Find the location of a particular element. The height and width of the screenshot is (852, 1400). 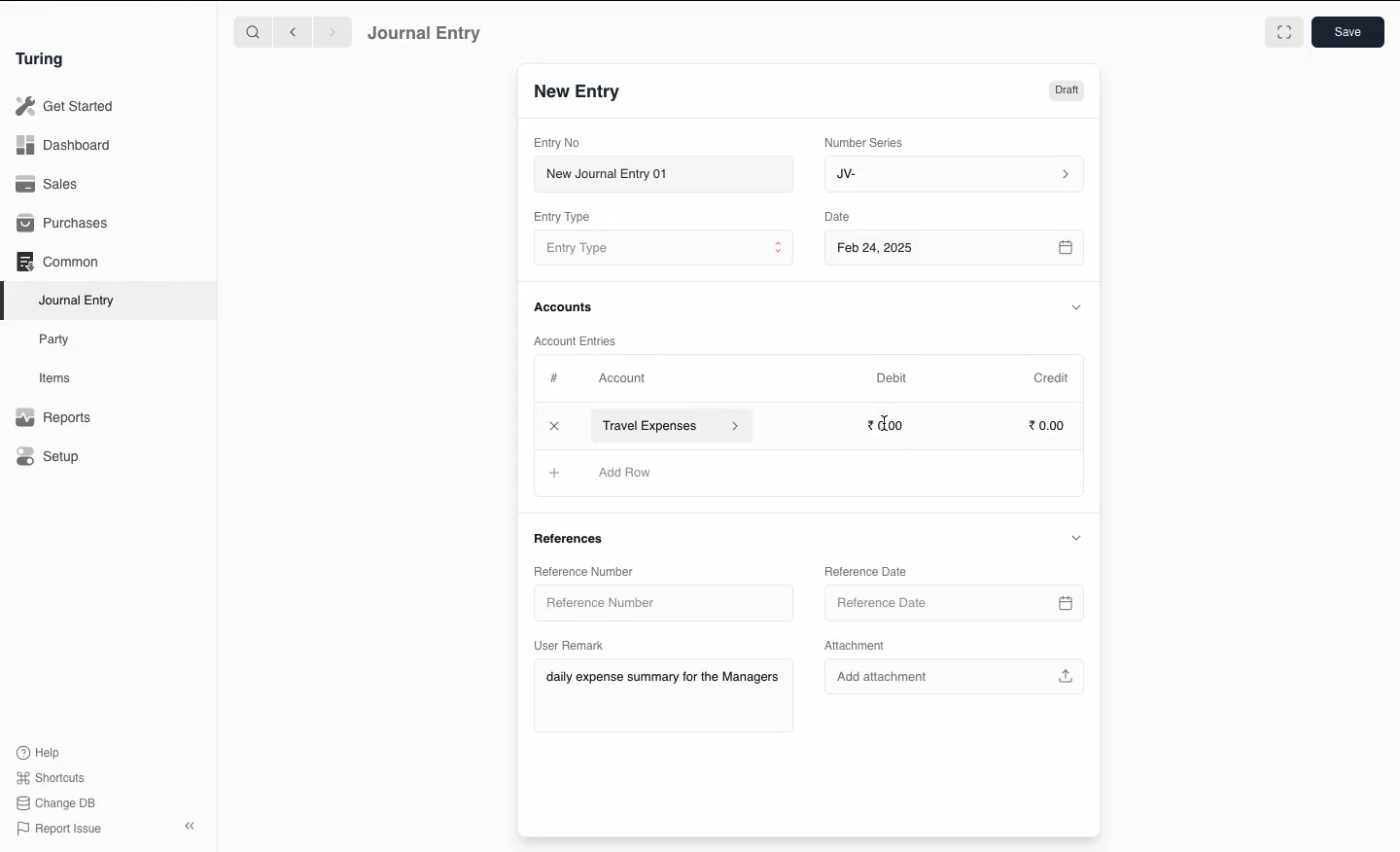

Add Row is located at coordinates (622, 473).